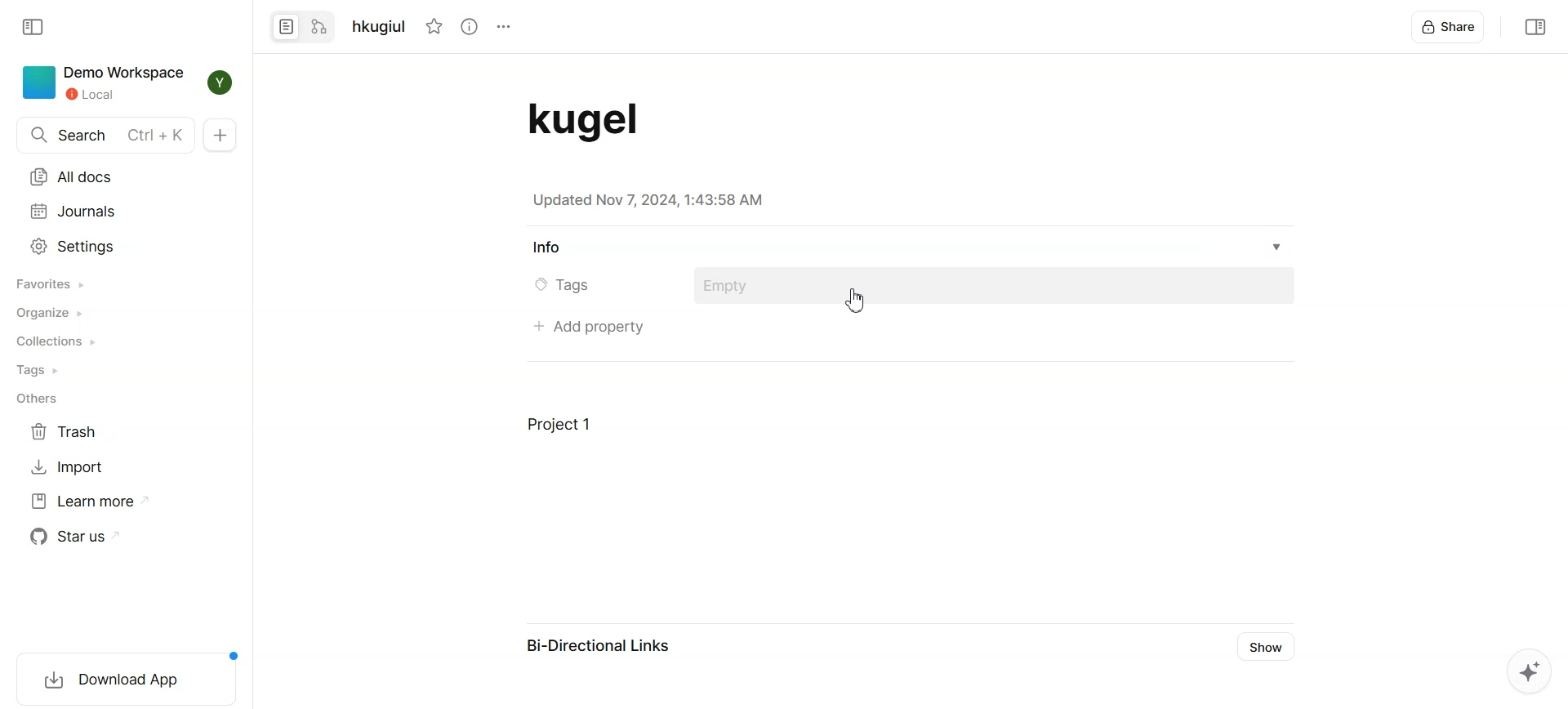 Image resolution: width=1568 pixels, height=709 pixels. I want to click on Updated Nov 7, 2024, 1:43:58 AM, so click(651, 201).